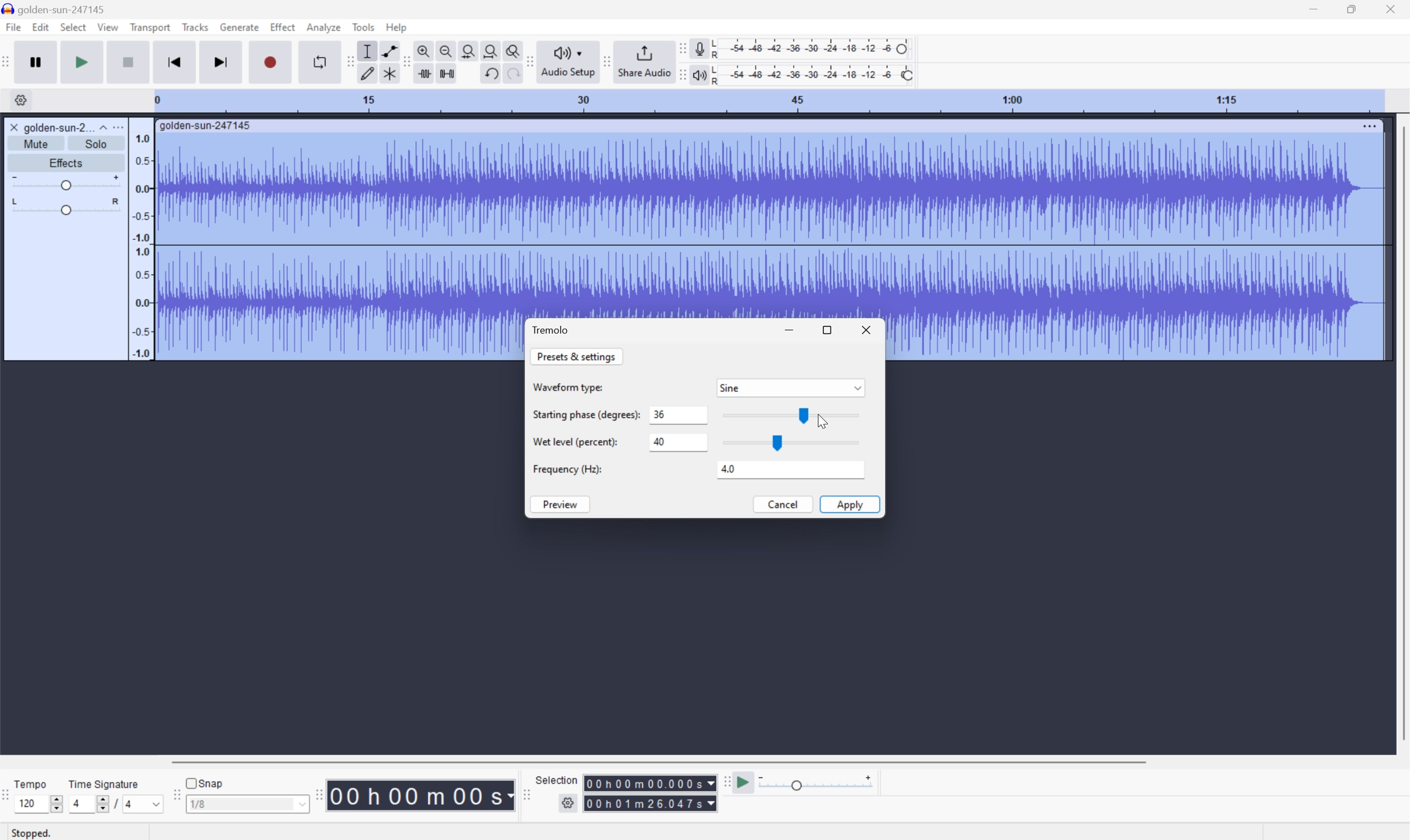 This screenshot has width=1410, height=840. Describe the element at coordinates (791, 470) in the screenshot. I see `4.0` at that location.